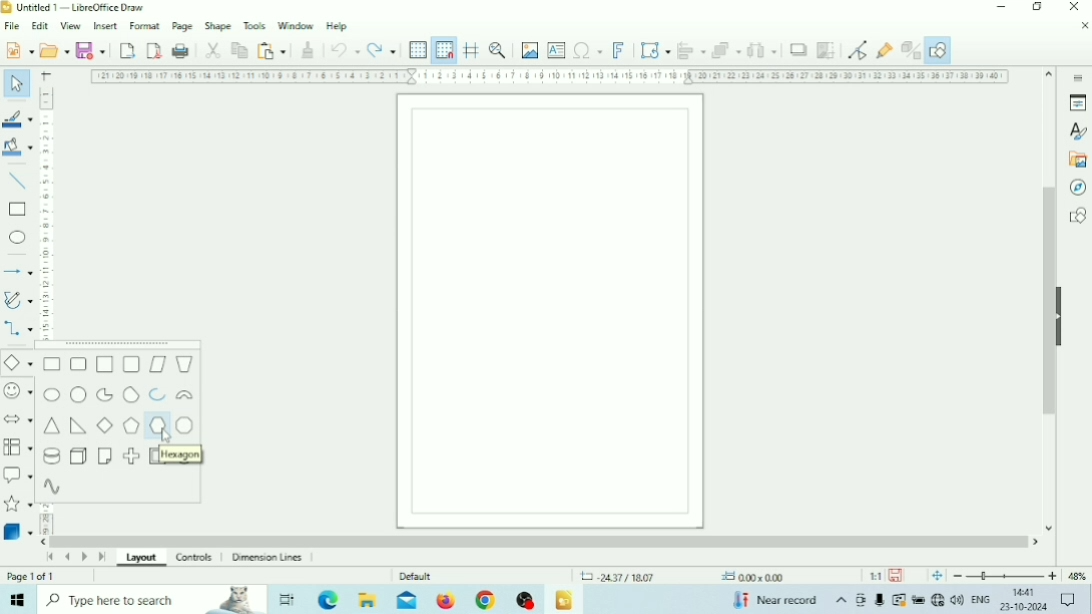 The height and width of the screenshot is (614, 1092). Describe the element at coordinates (165, 437) in the screenshot. I see `cursor` at that location.